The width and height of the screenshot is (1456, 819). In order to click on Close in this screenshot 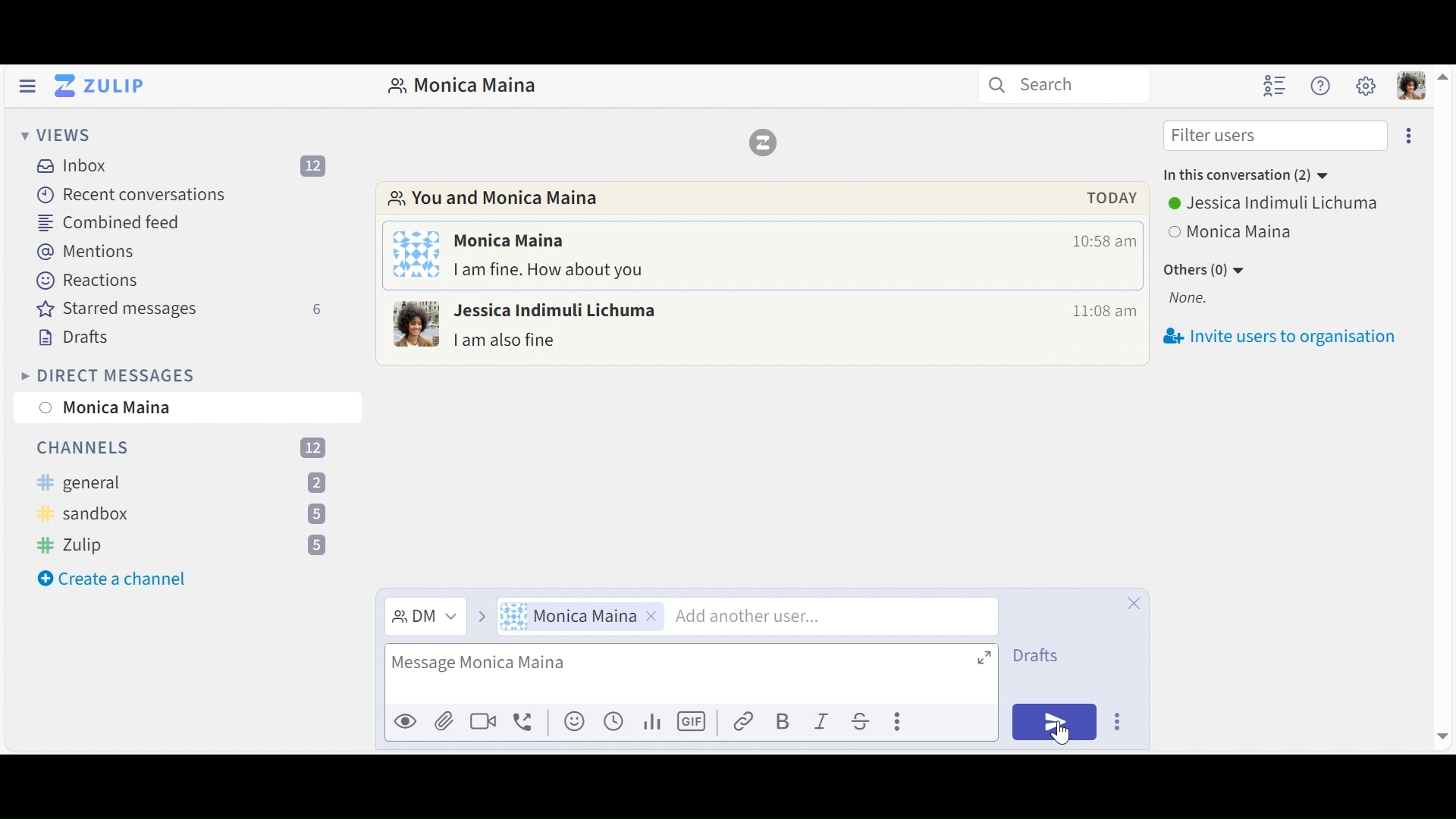, I will do `click(1134, 604)`.